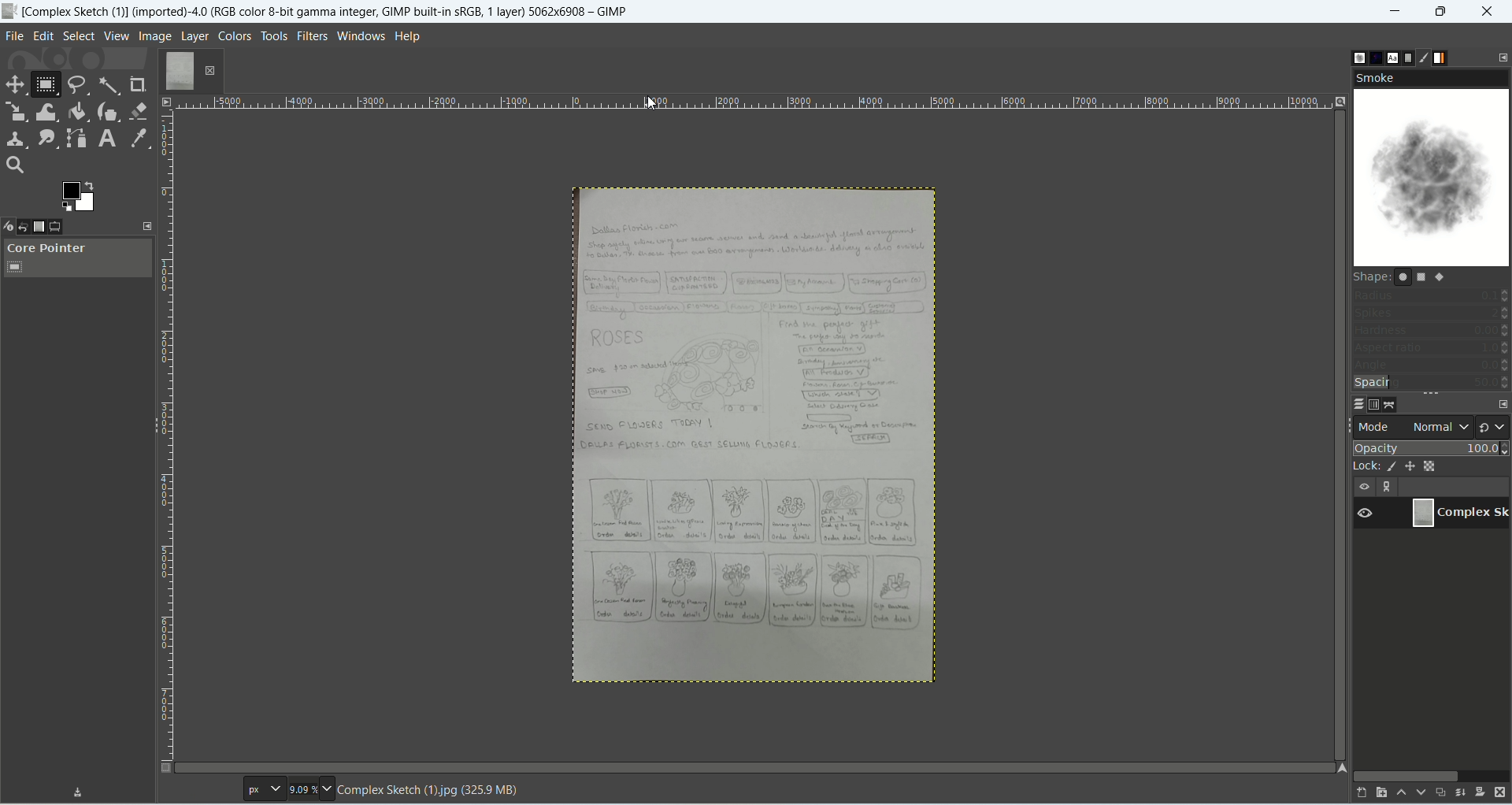  What do you see at coordinates (1393, 405) in the screenshot?
I see `paths` at bounding box center [1393, 405].